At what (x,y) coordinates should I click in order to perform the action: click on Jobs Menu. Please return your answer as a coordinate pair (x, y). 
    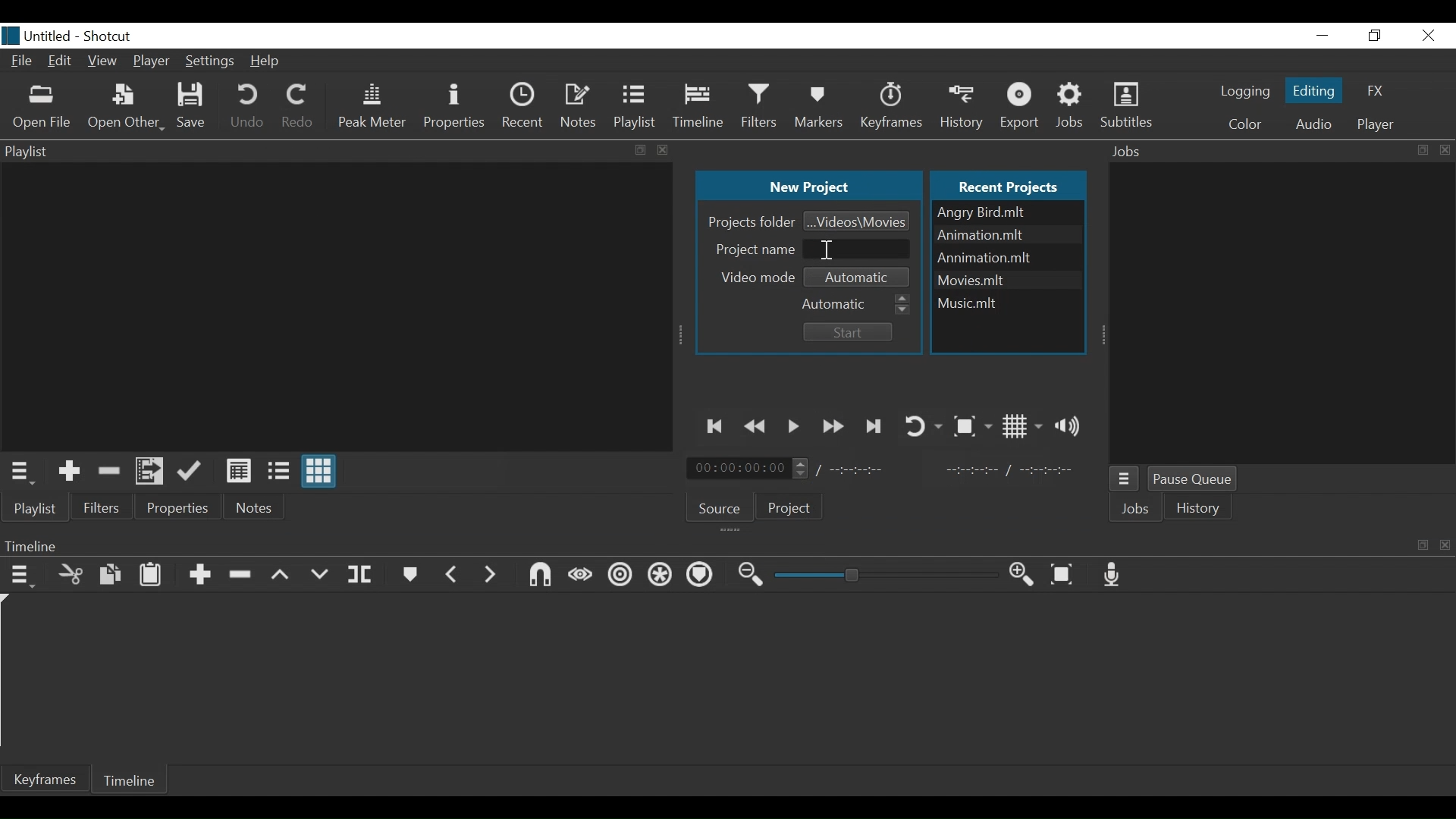
    Looking at the image, I should click on (1126, 481).